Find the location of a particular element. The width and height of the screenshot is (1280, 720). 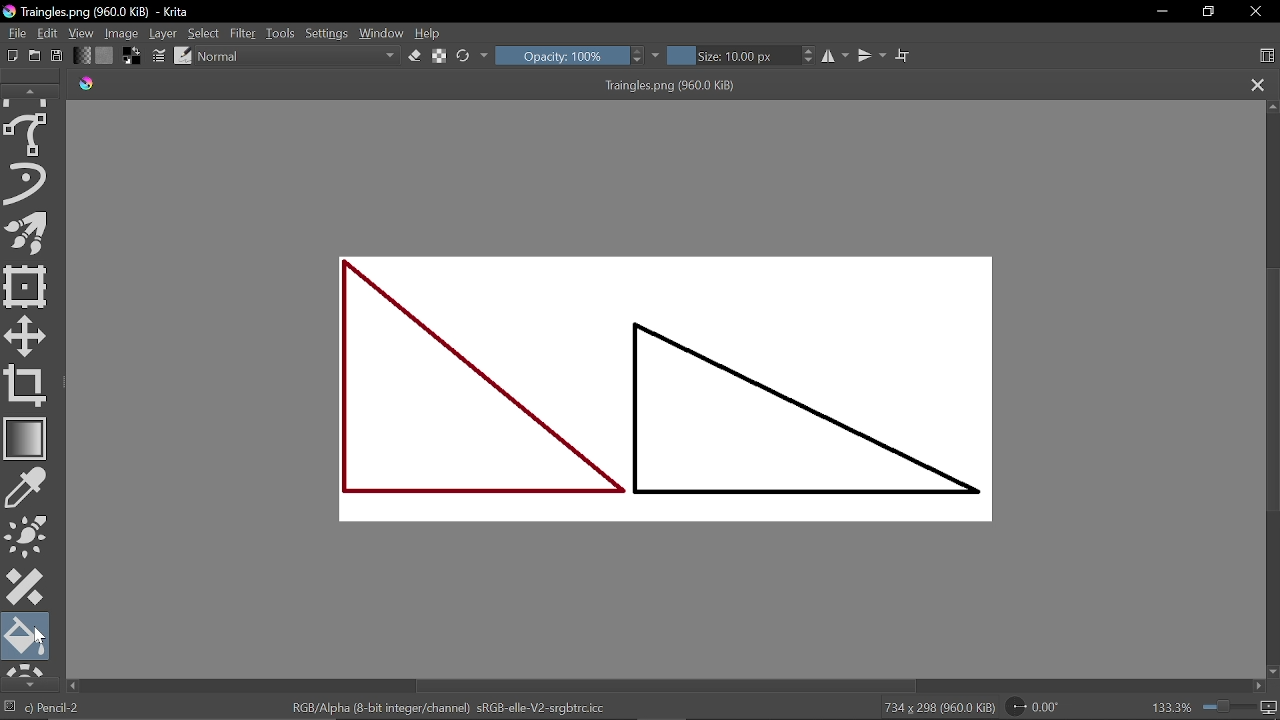

Edit is located at coordinates (47, 35).